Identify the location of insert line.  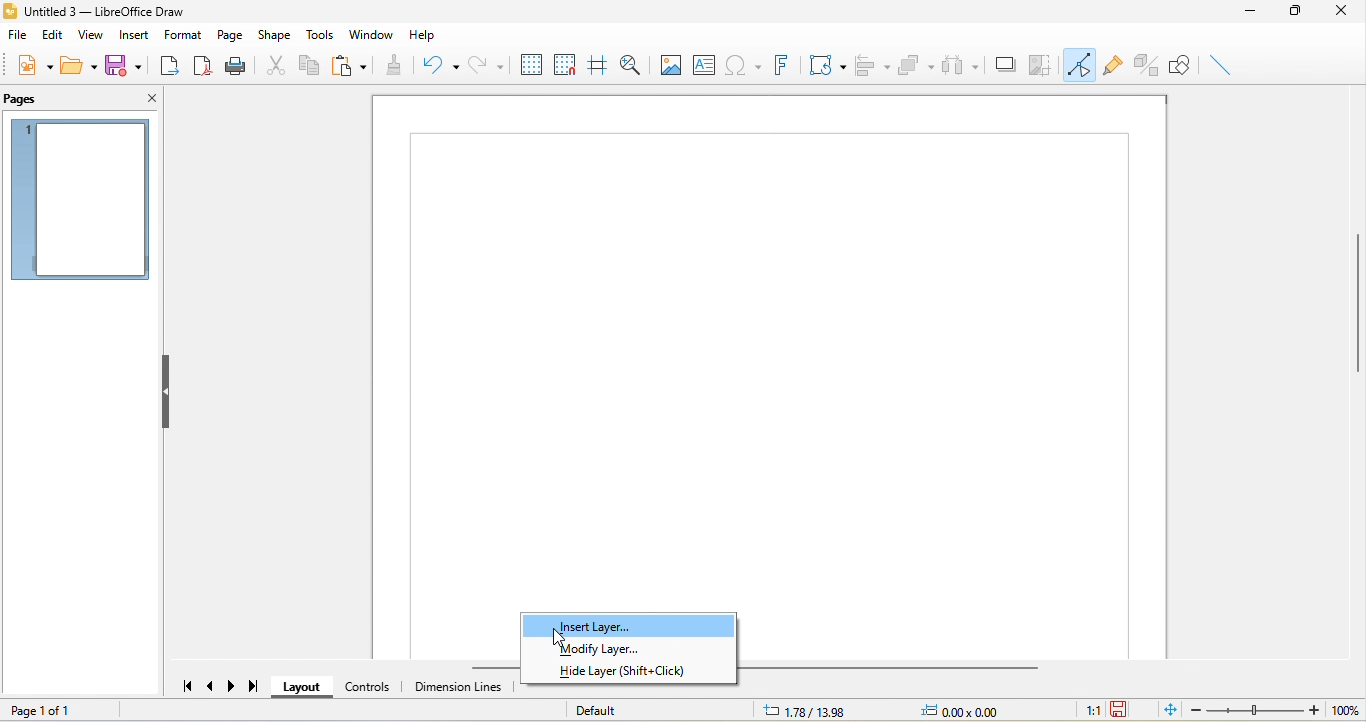
(1224, 65).